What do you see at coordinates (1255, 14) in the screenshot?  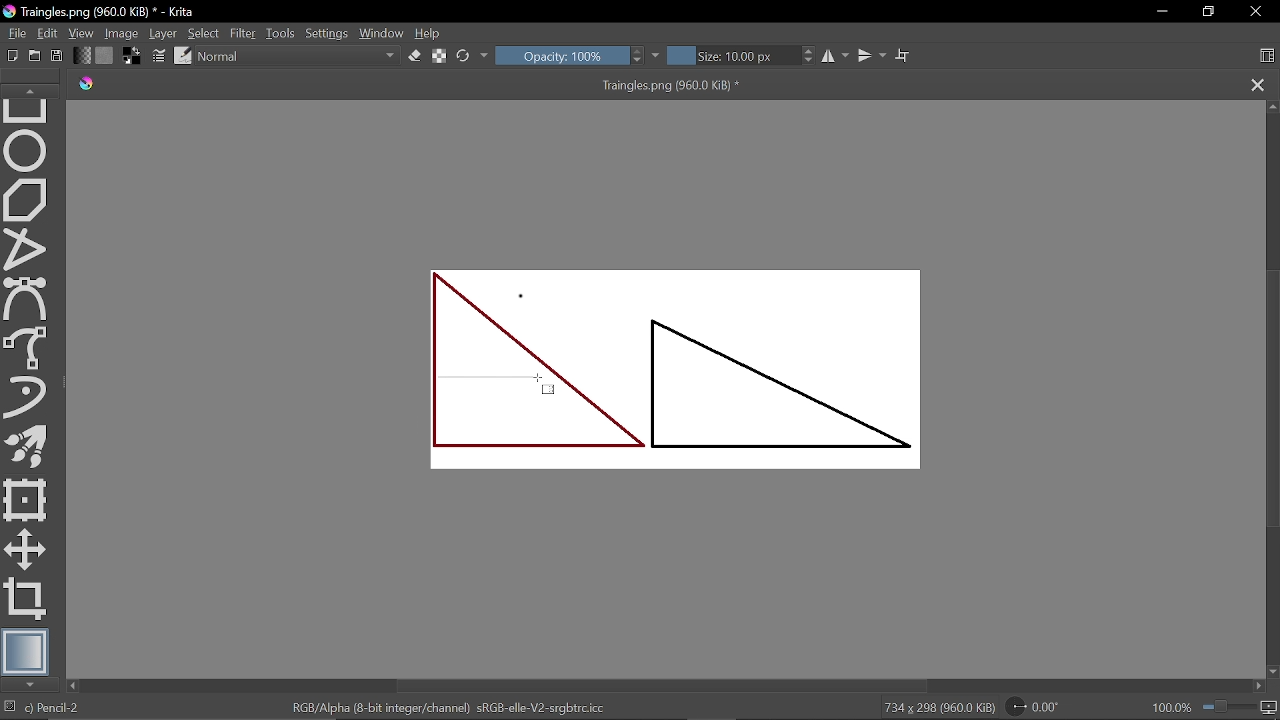 I see `Close` at bounding box center [1255, 14].